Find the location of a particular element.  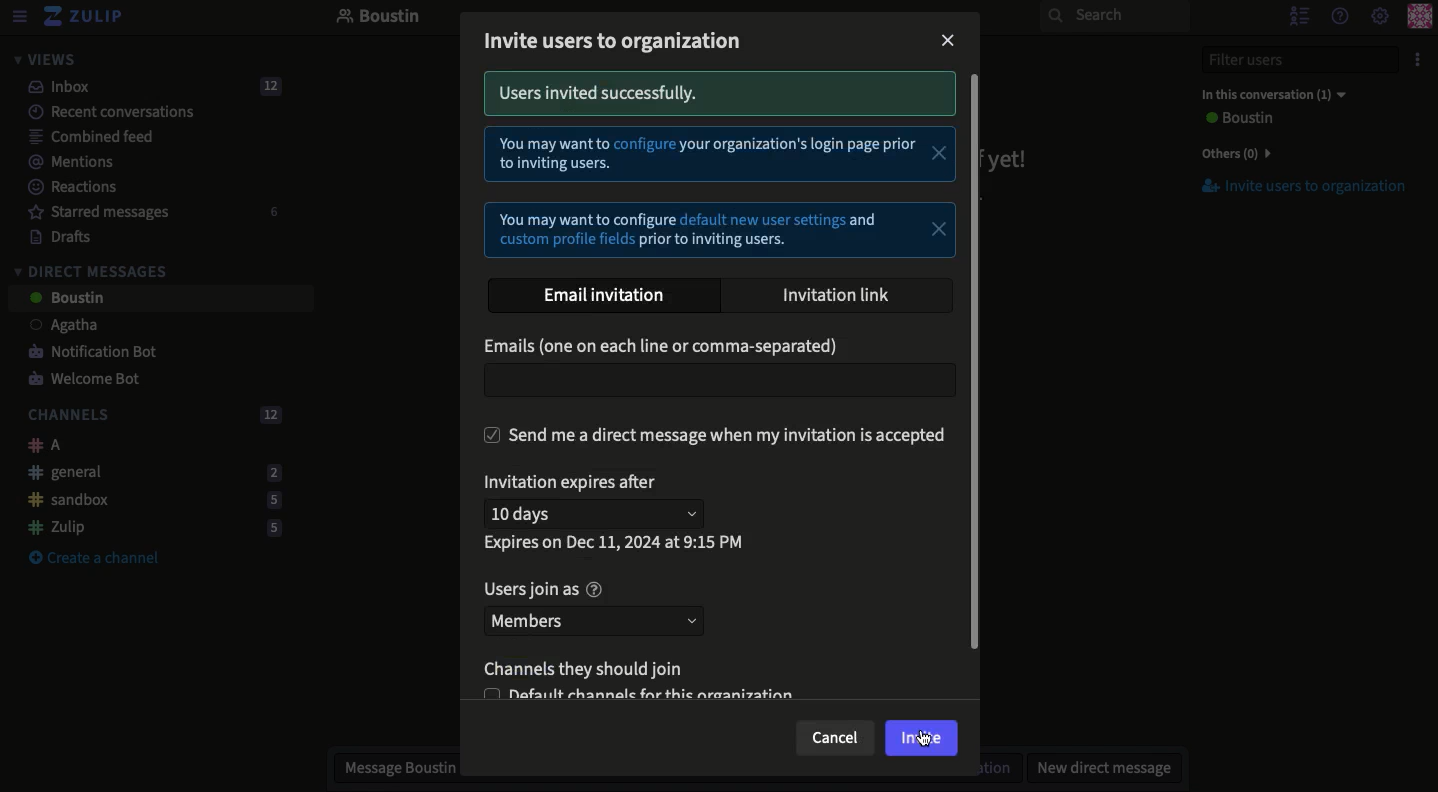

General  is located at coordinates (149, 471).